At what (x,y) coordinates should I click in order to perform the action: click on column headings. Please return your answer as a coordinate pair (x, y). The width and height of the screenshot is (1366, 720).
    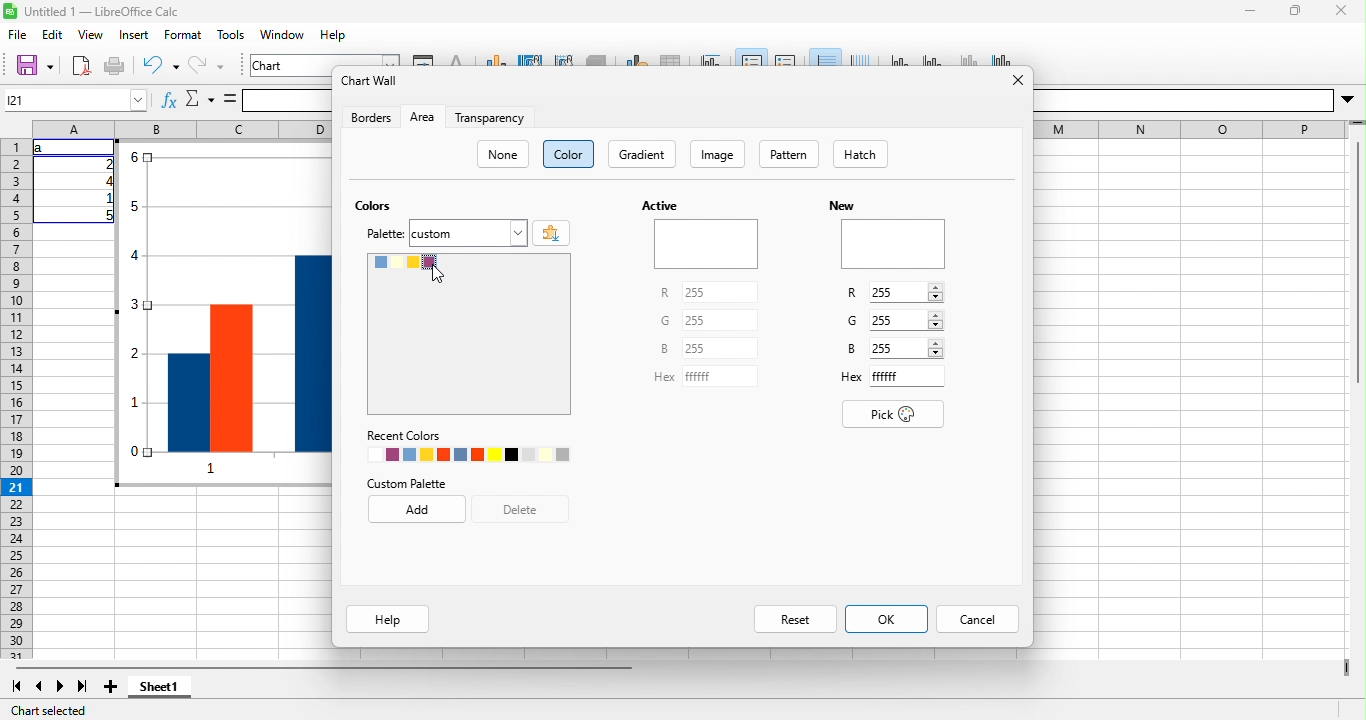
    Looking at the image, I should click on (182, 129).